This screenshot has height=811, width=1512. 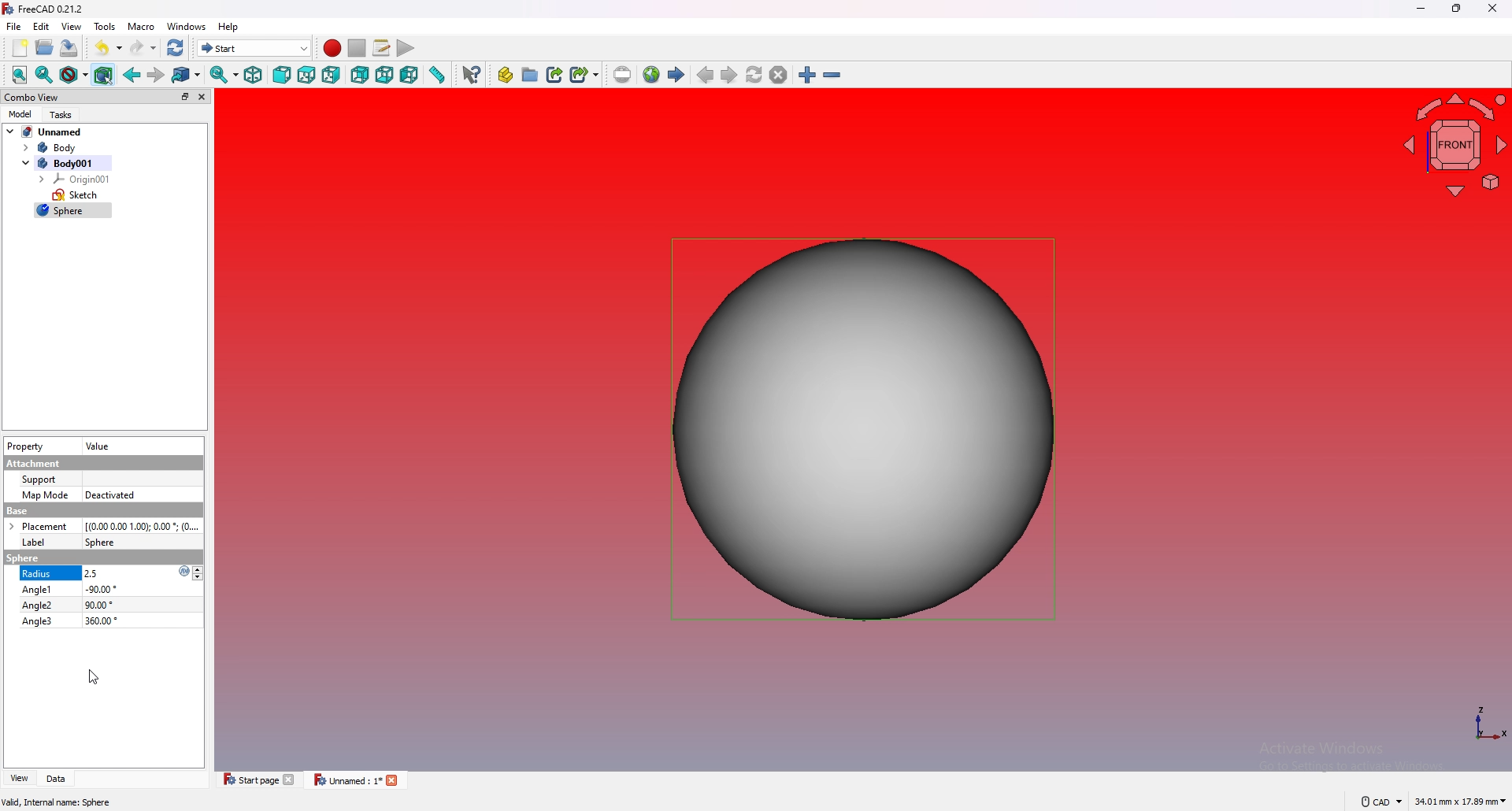 What do you see at coordinates (45, 48) in the screenshot?
I see `open` at bounding box center [45, 48].